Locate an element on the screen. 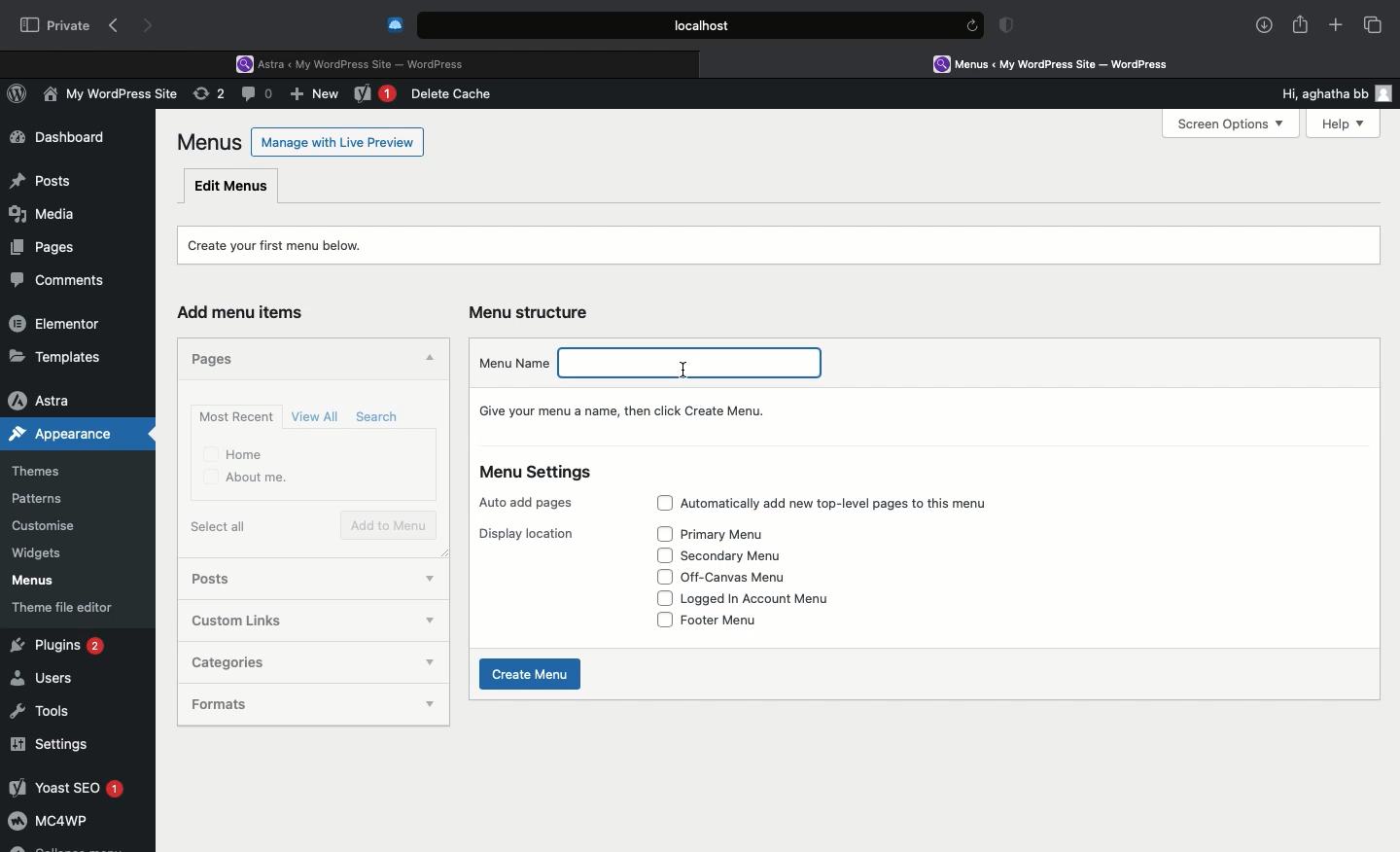 This screenshot has width=1400, height=852. Add new tab is located at coordinates (1336, 28).